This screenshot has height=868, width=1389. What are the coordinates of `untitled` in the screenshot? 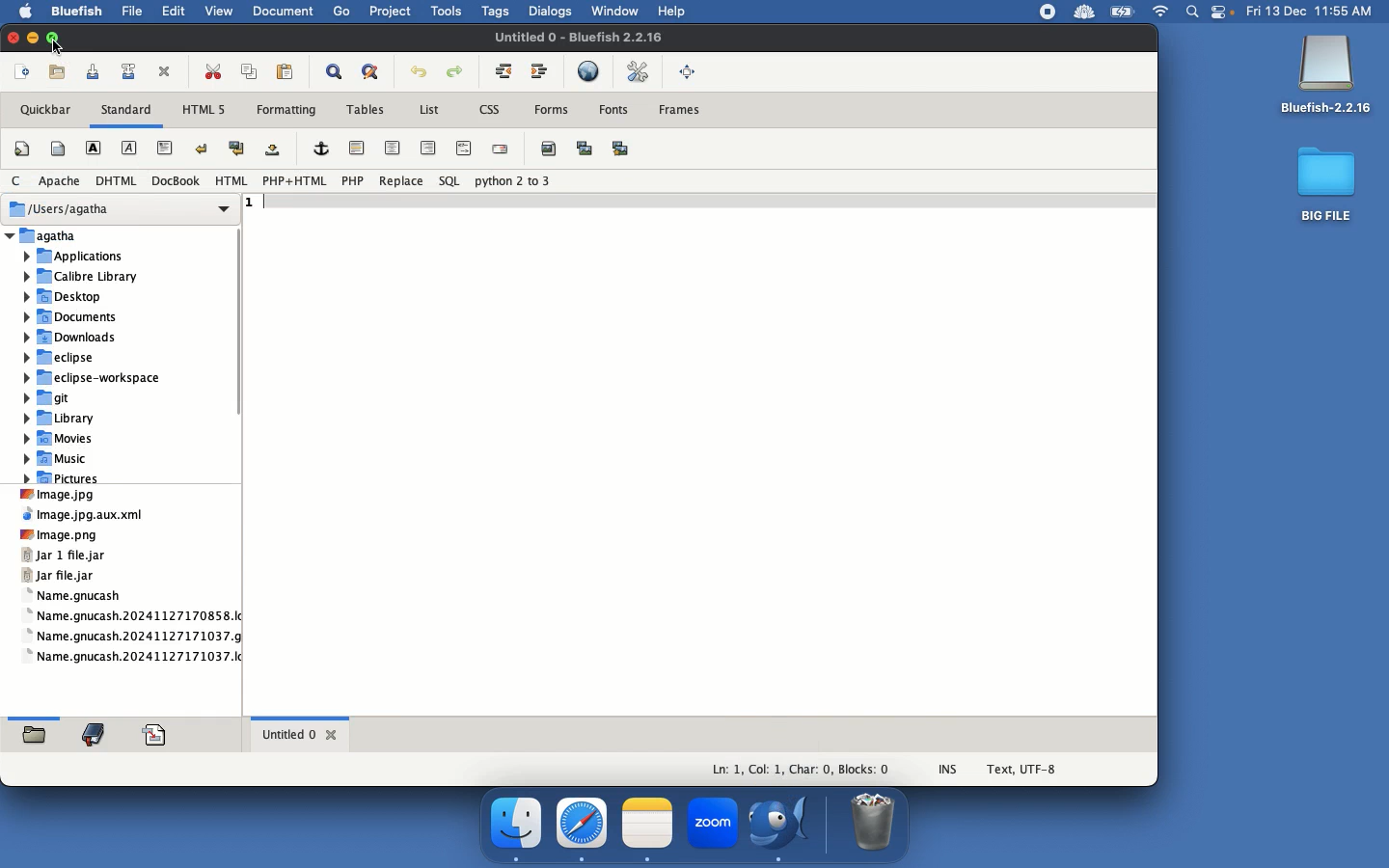 It's located at (299, 736).